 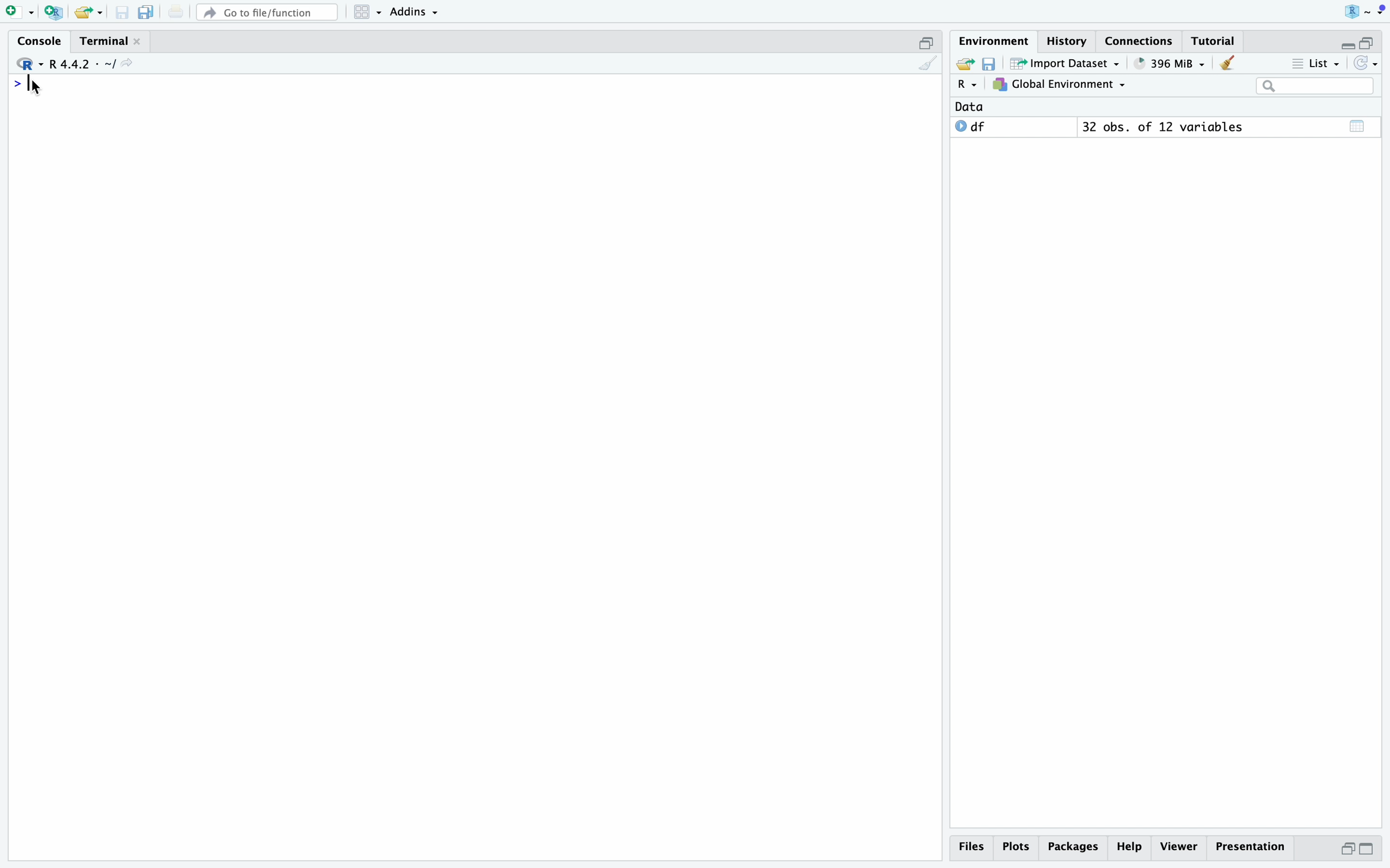 I want to click on switch to full view, so click(x=1367, y=850).